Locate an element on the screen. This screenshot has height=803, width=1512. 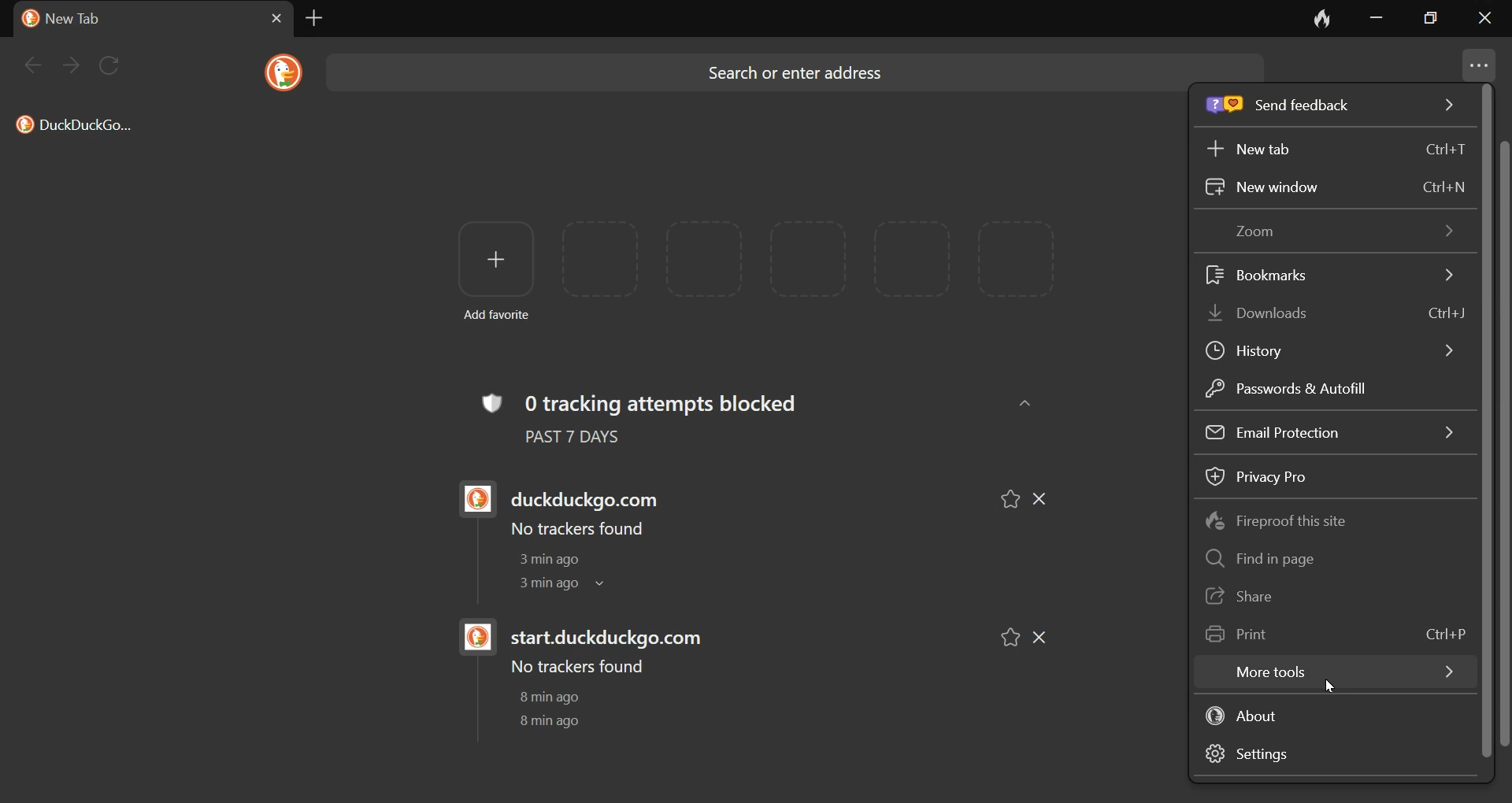
Zoom is located at coordinates (1336, 234).